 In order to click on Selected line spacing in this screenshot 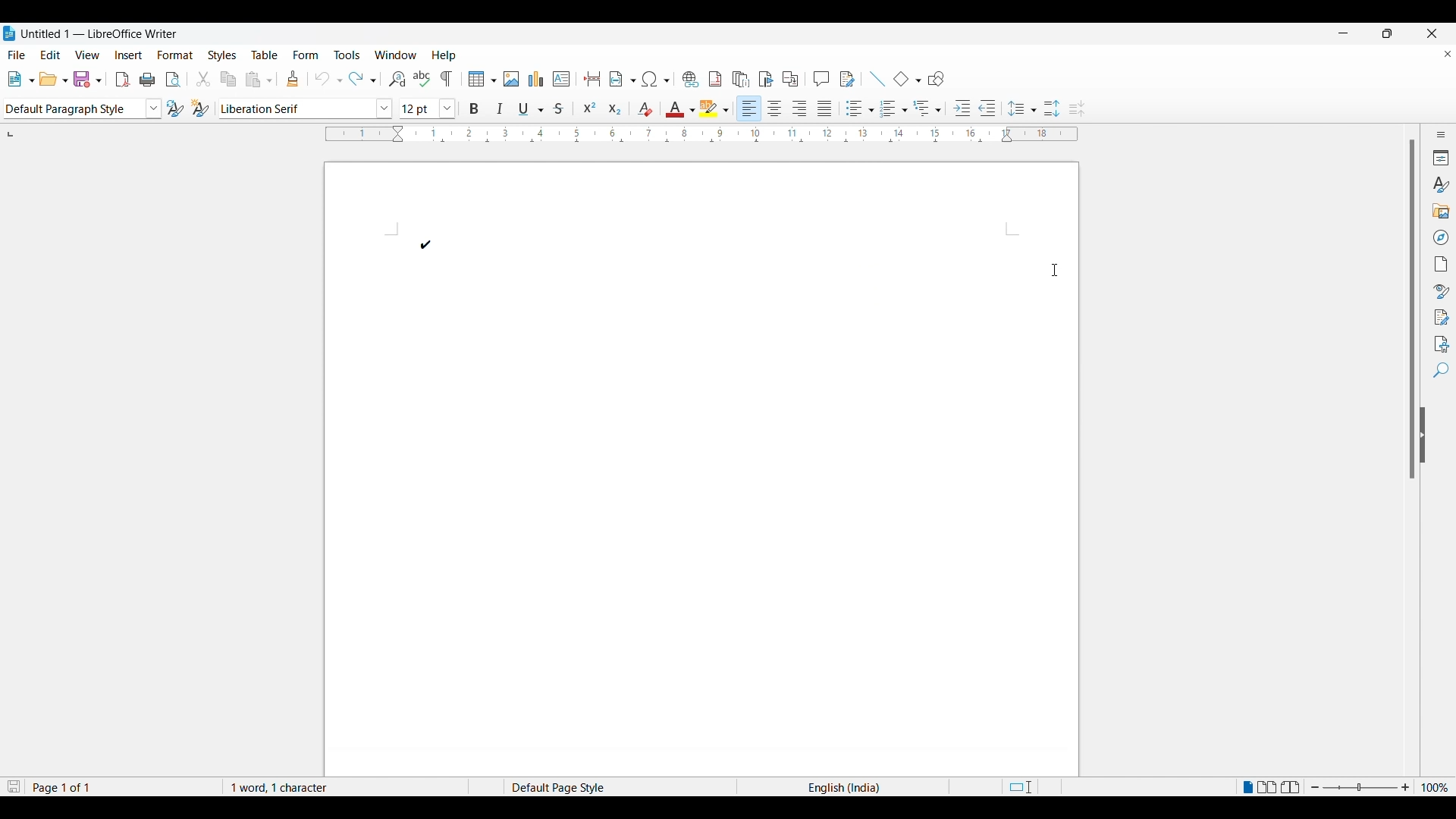, I will do `click(1022, 105)`.